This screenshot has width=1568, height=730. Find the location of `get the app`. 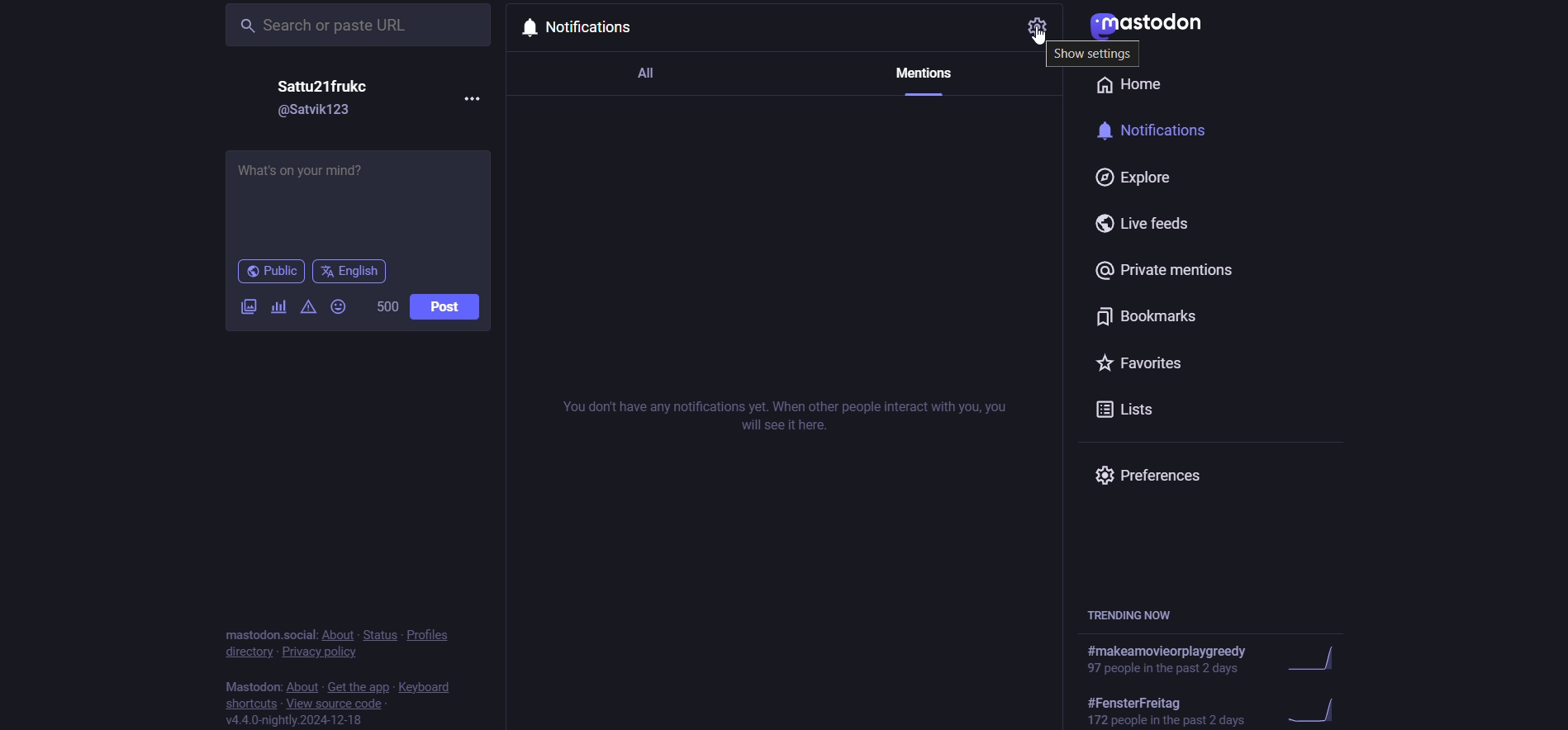

get the app is located at coordinates (361, 688).